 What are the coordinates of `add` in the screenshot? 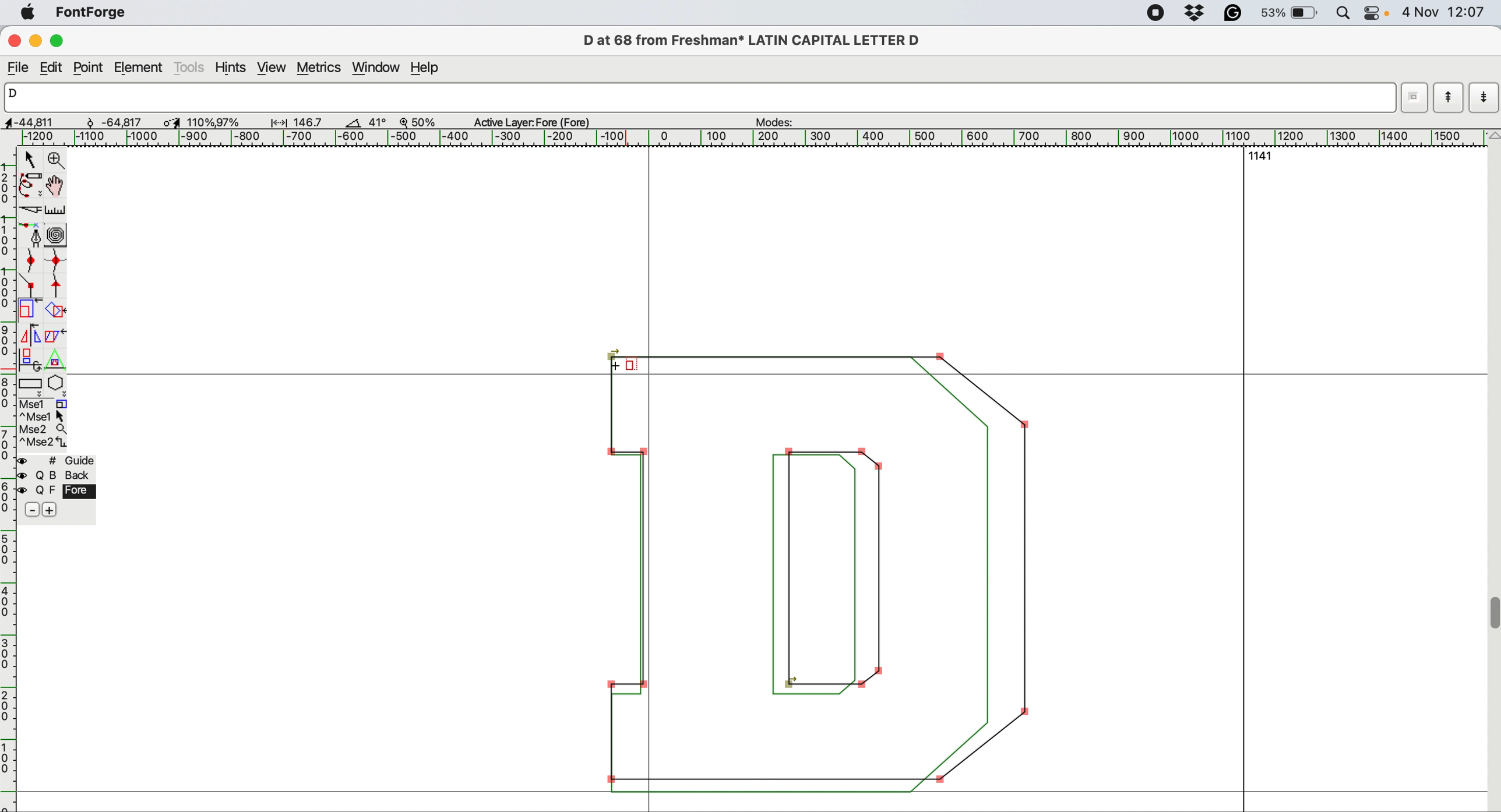 It's located at (51, 510).